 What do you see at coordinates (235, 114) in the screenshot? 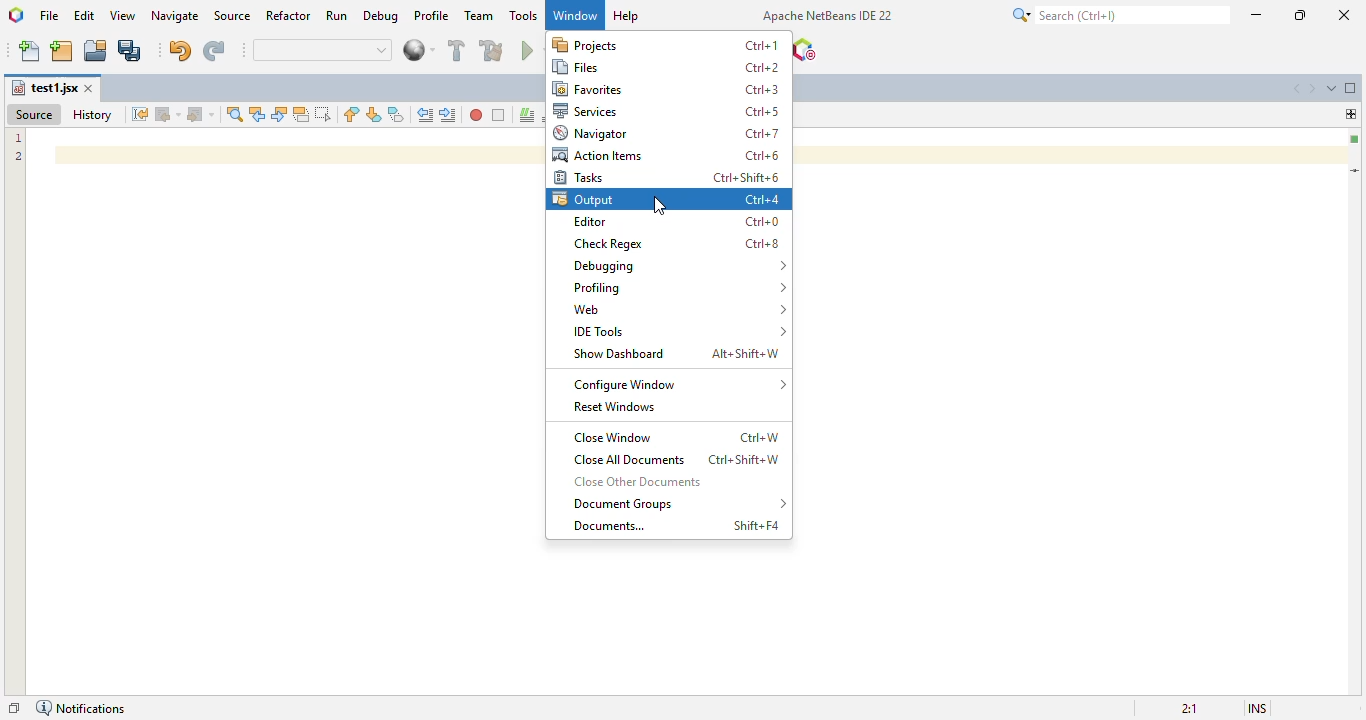
I see `find selection` at bounding box center [235, 114].